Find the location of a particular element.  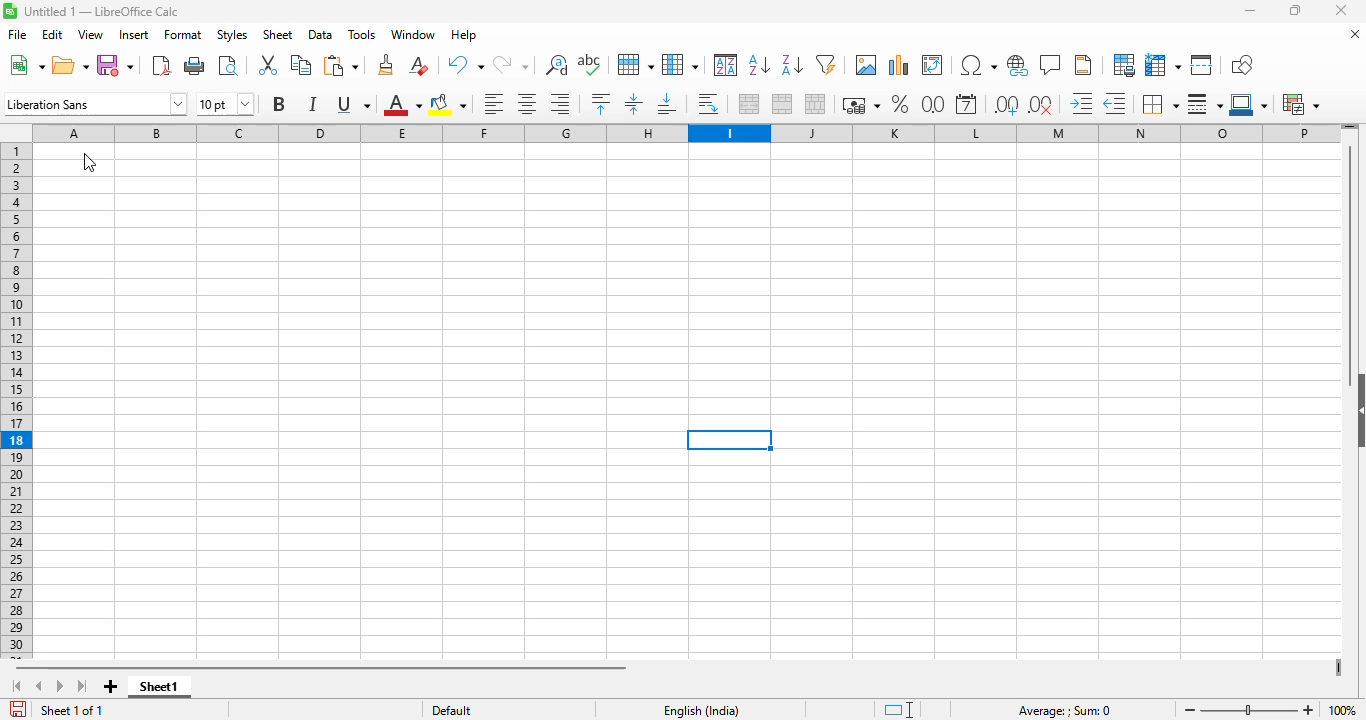

export directly as PDF is located at coordinates (162, 65).